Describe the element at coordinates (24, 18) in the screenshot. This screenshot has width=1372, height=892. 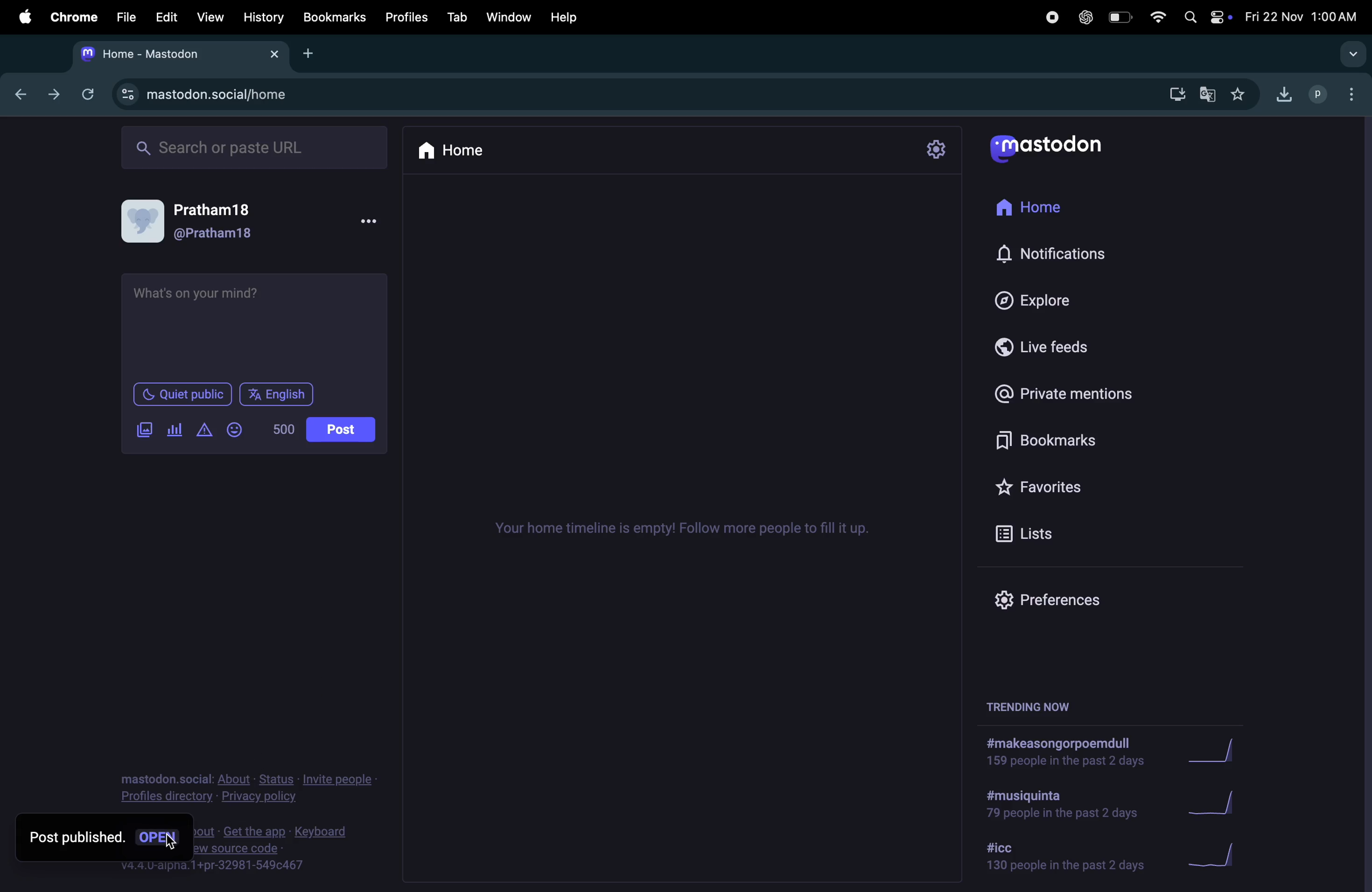
I see `apple menu` at that location.